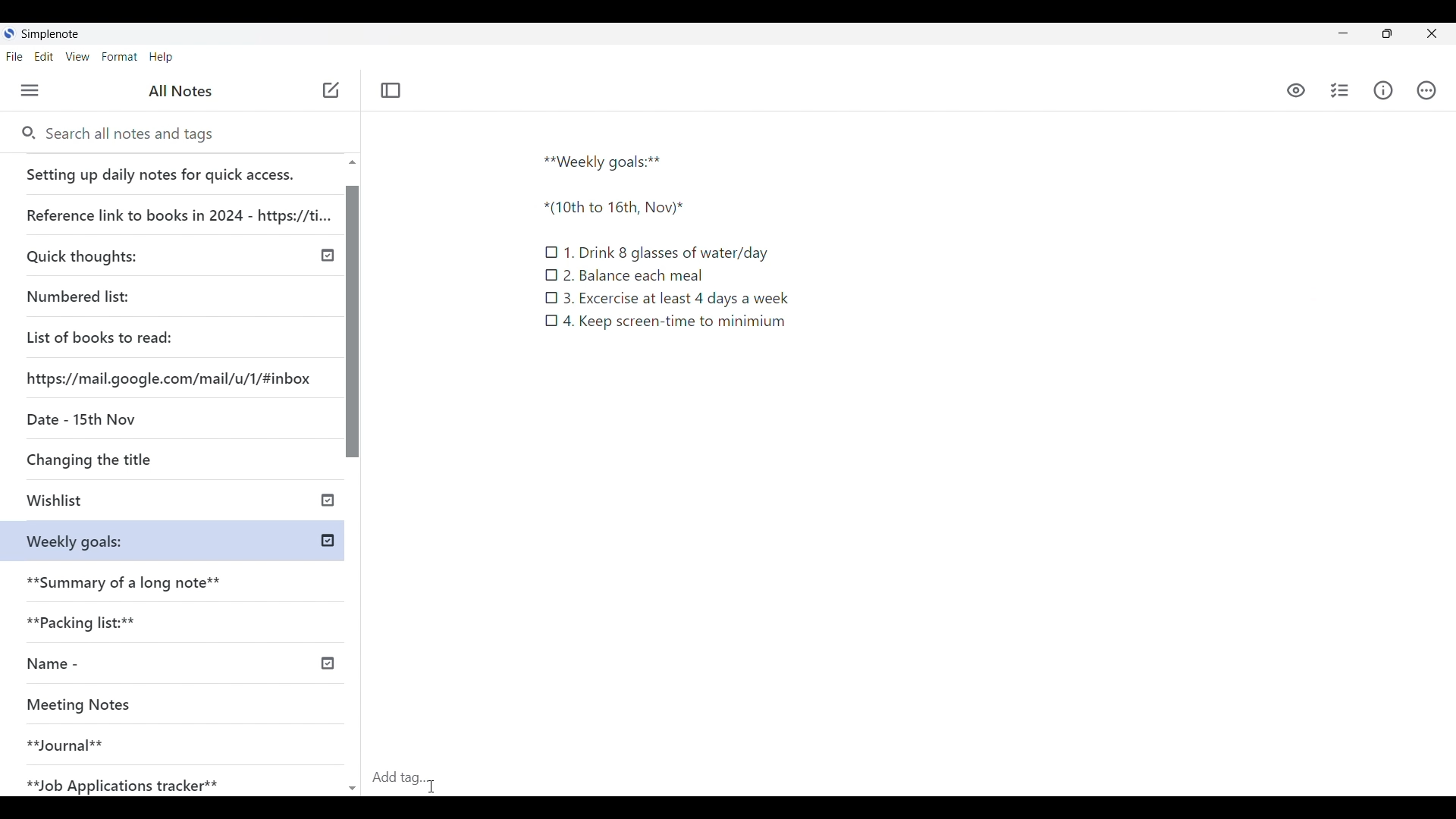 The height and width of the screenshot is (819, 1456). What do you see at coordinates (1339, 90) in the screenshot?
I see `Insert checklist` at bounding box center [1339, 90].